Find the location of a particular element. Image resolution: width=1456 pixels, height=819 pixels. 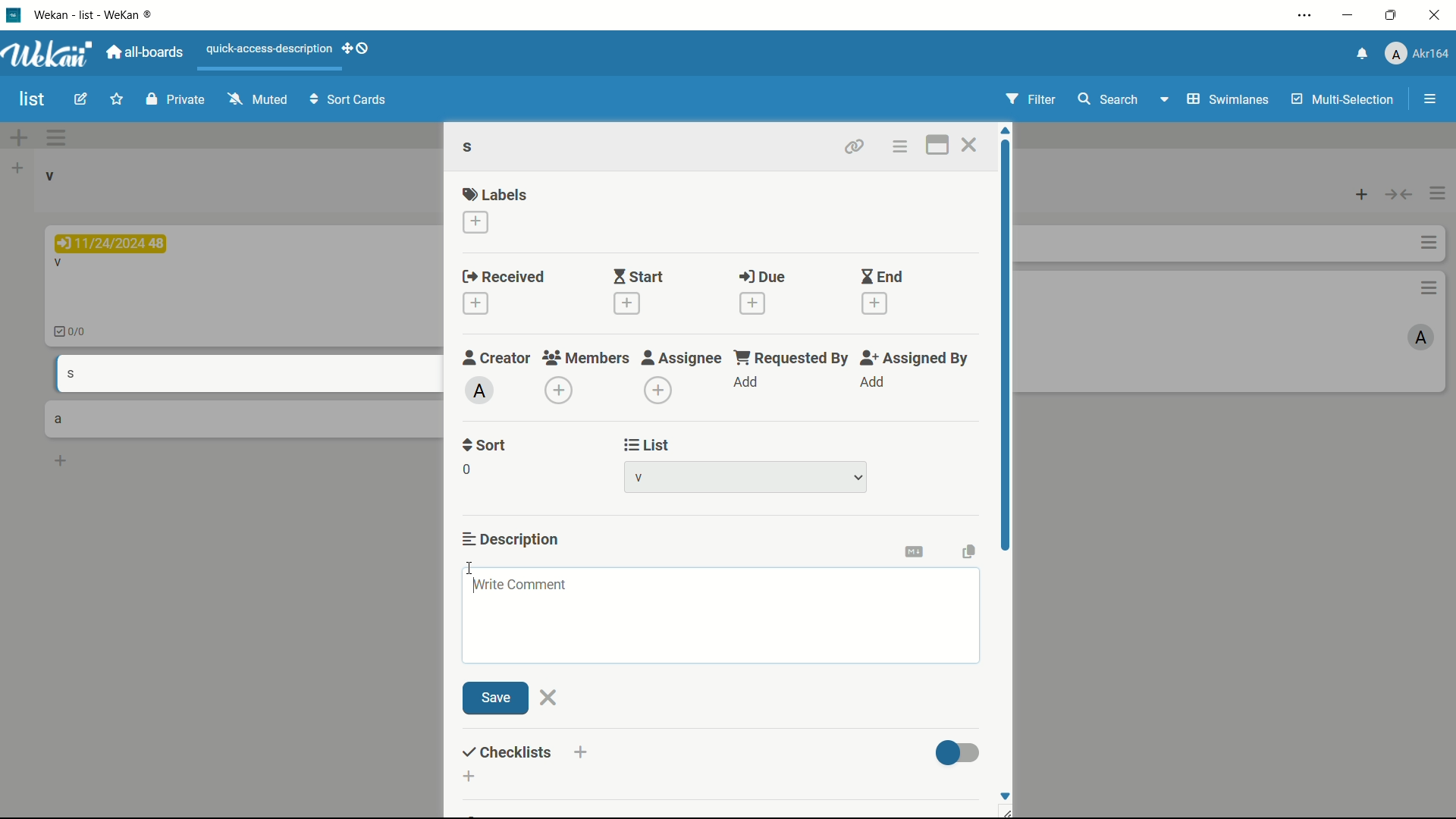

description is located at coordinates (510, 538).